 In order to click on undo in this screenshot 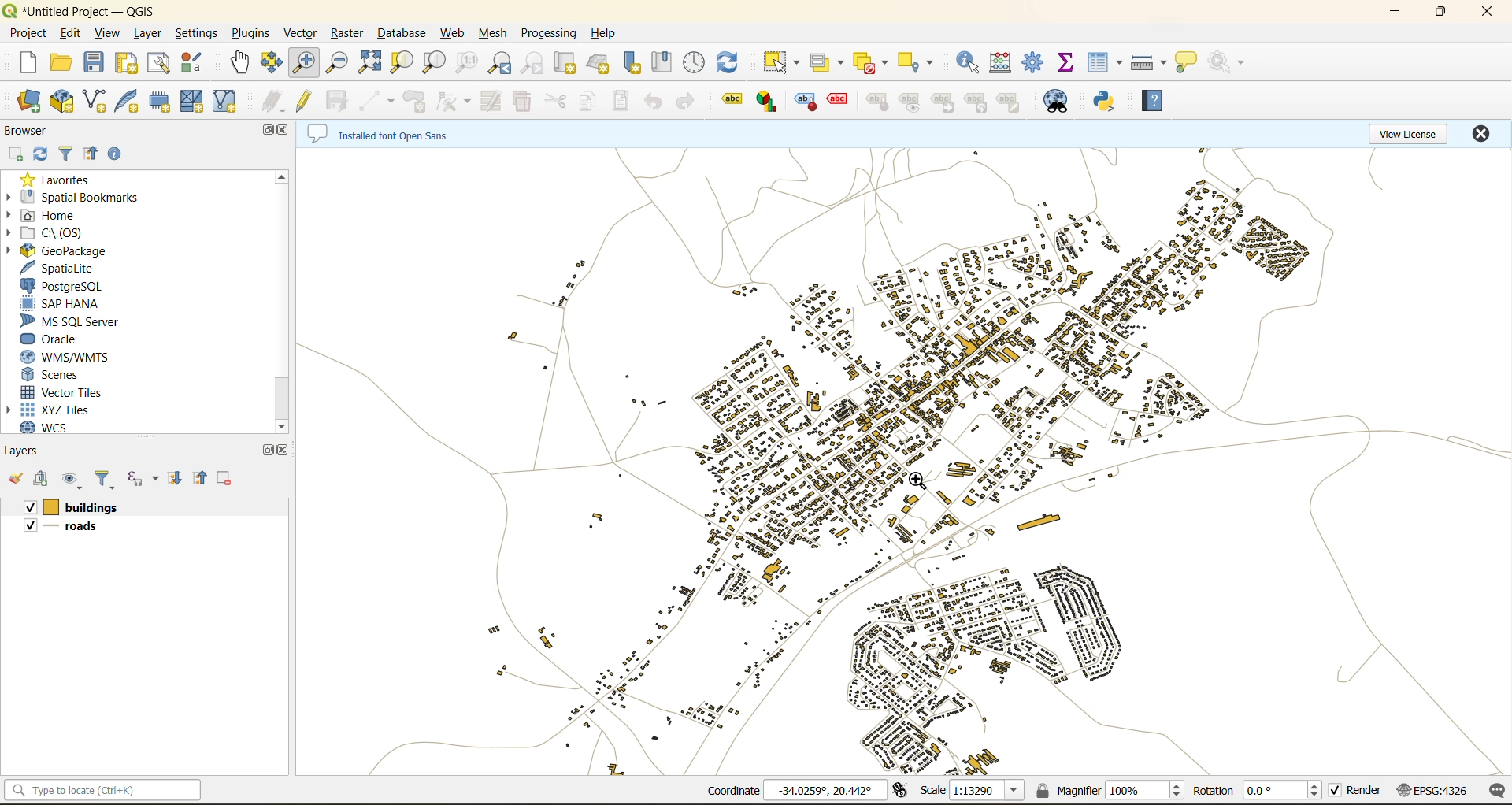, I will do `click(651, 102)`.